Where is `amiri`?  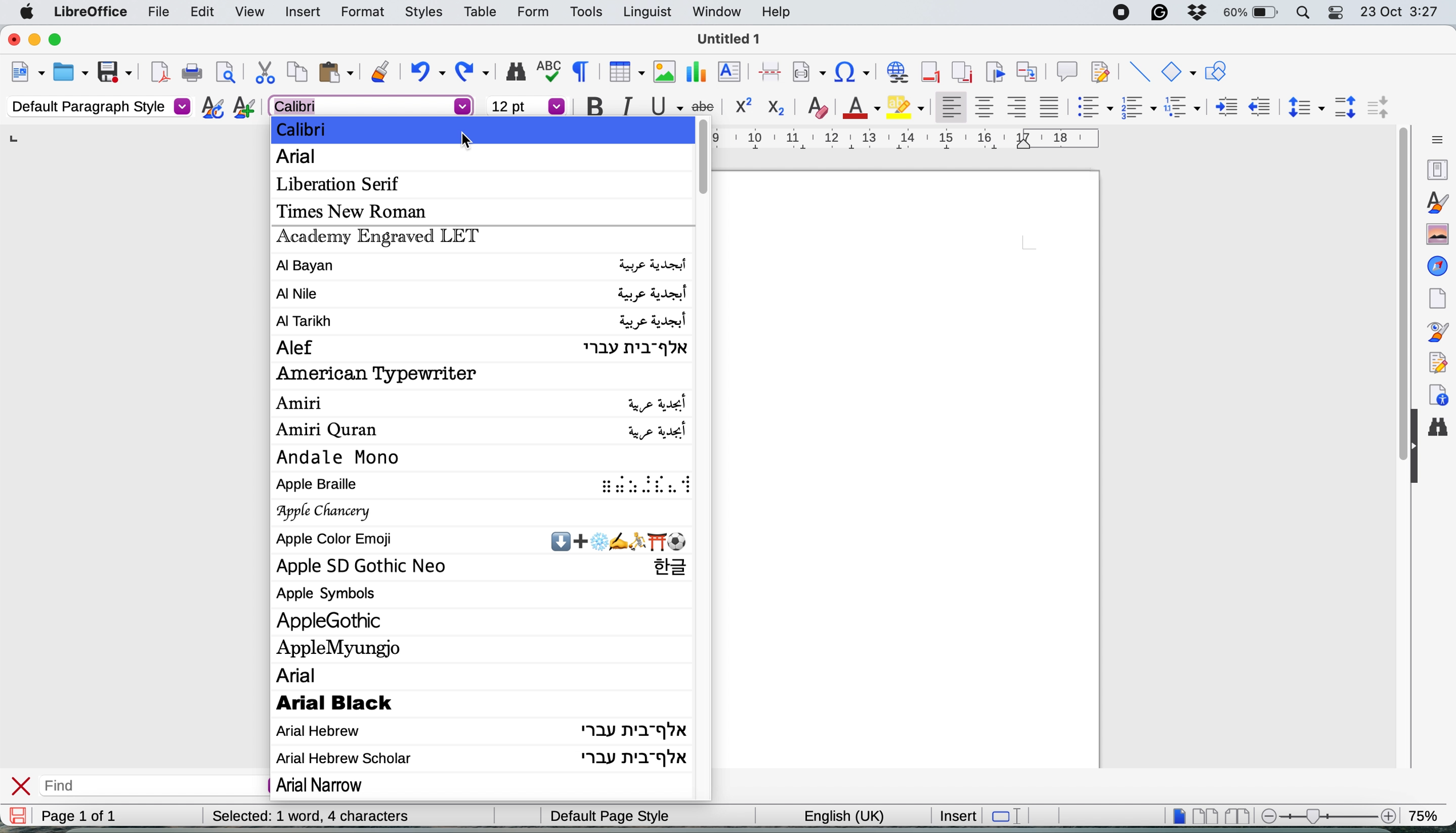 amiri is located at coordinates (484, 403).